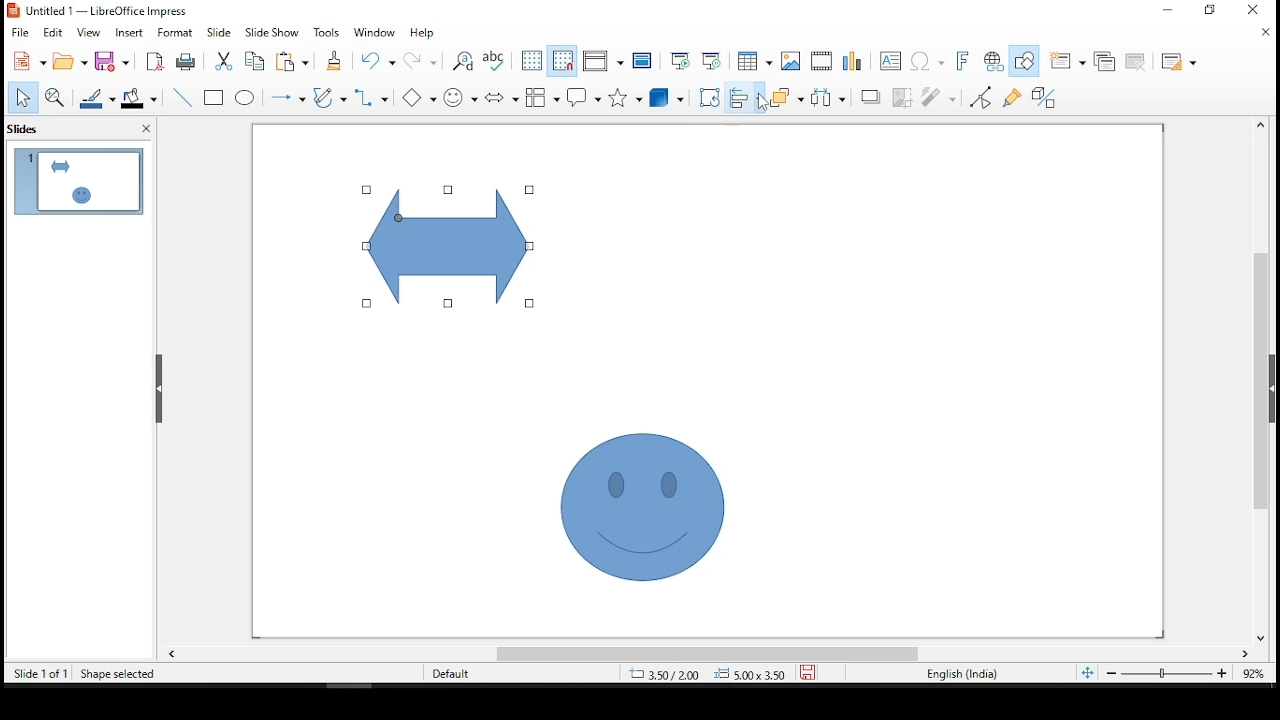 This screenshot has height=720, width=1280. I want to click on show gluepoint functions, so click(1012, 97).